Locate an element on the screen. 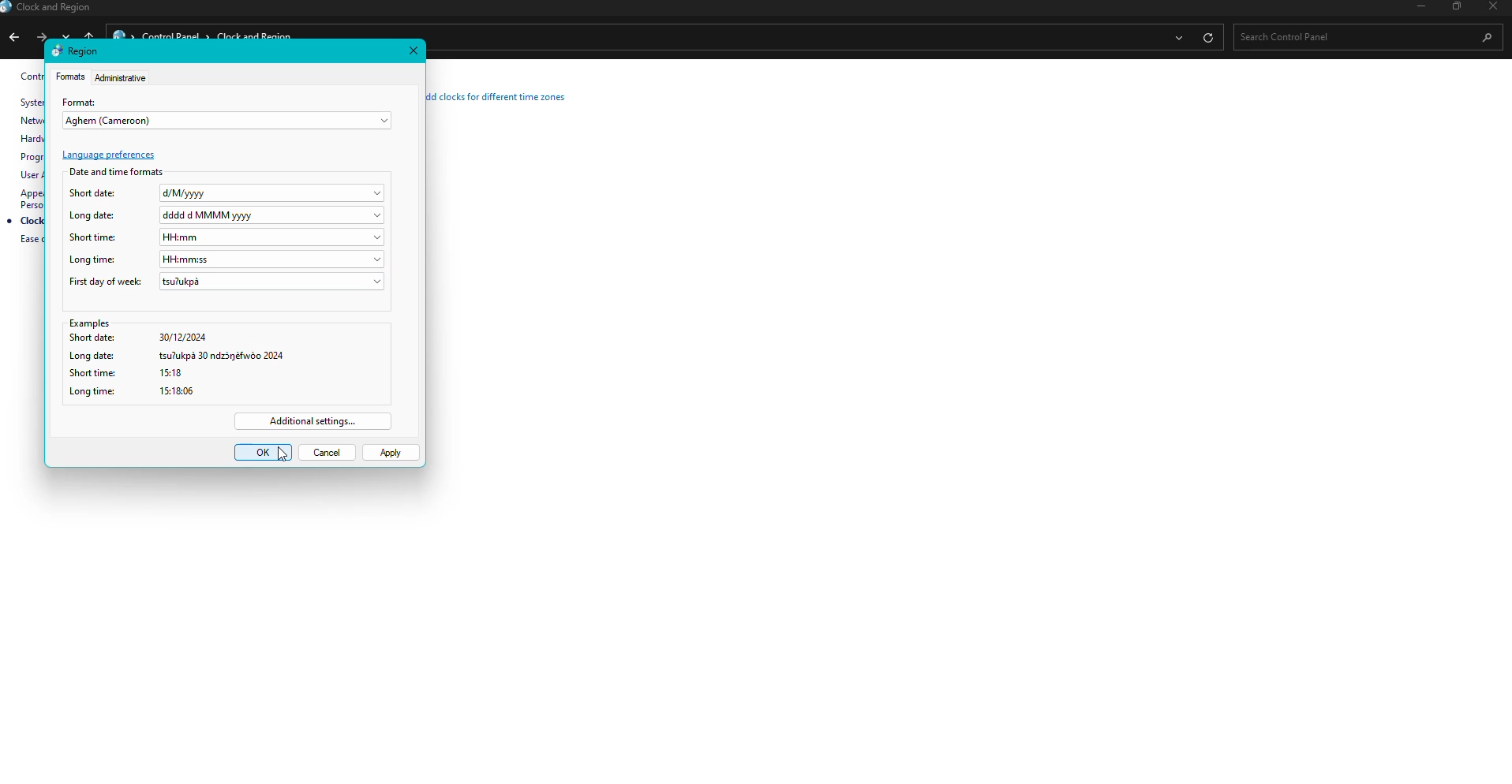  short time is located at coordinates (223, 374).